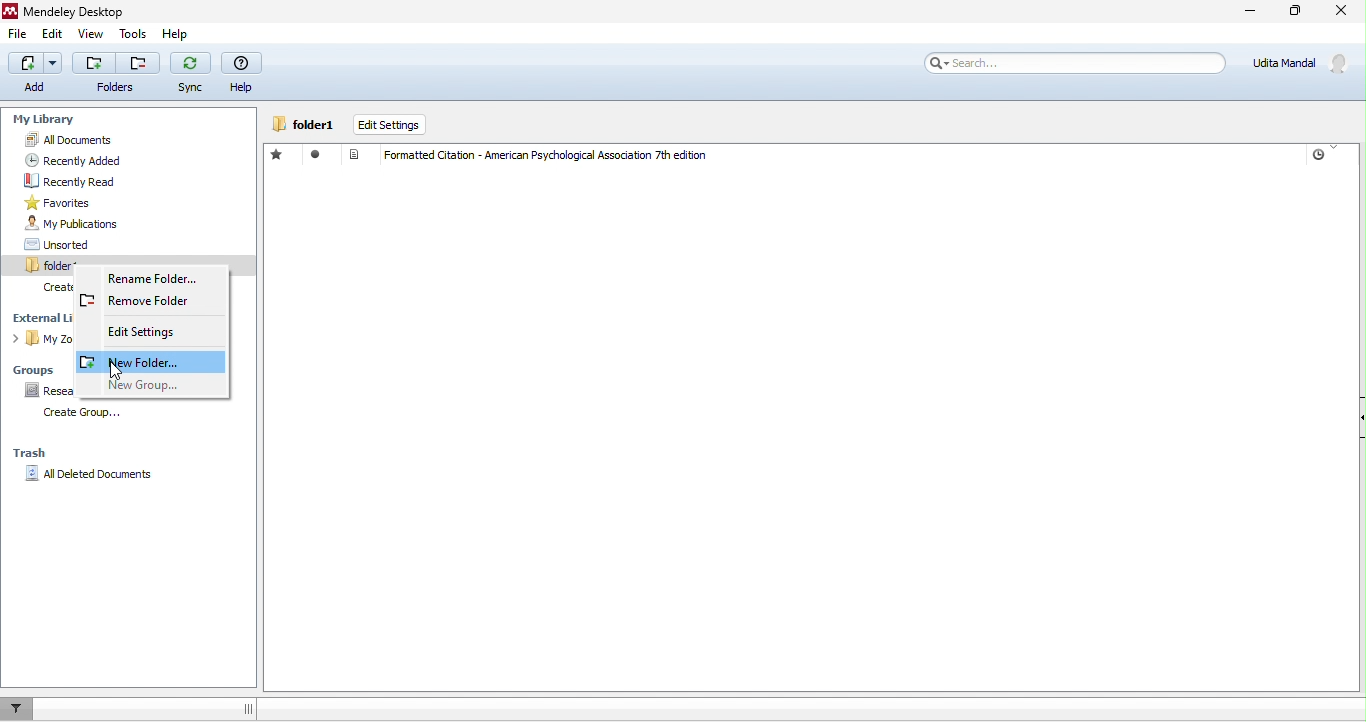  What do you see at coordinates (1072, 63) in the screenshot?
I see `search` at bounding box center [1072, 63].